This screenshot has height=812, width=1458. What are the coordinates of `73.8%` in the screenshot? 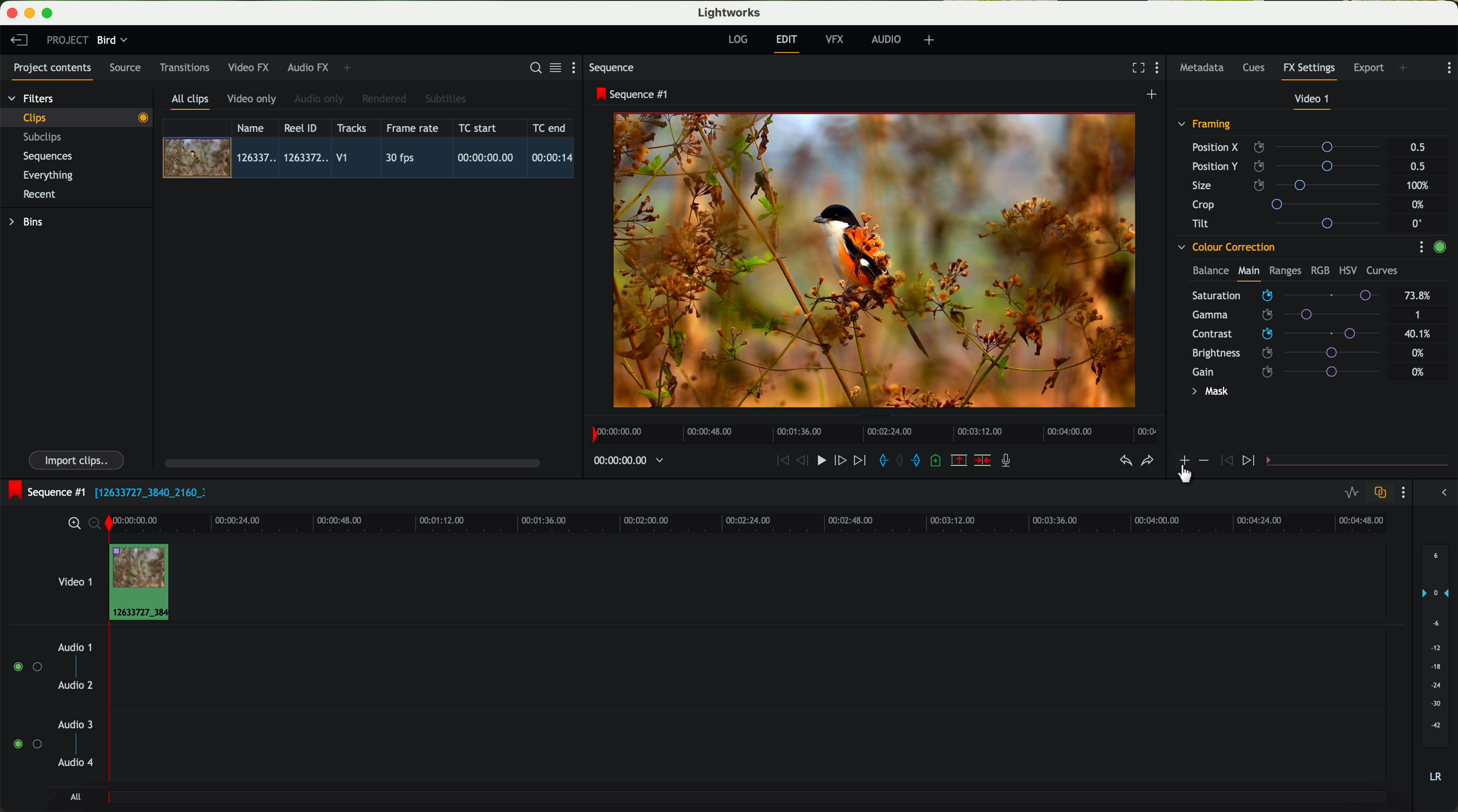 It's located at (1418, 296).